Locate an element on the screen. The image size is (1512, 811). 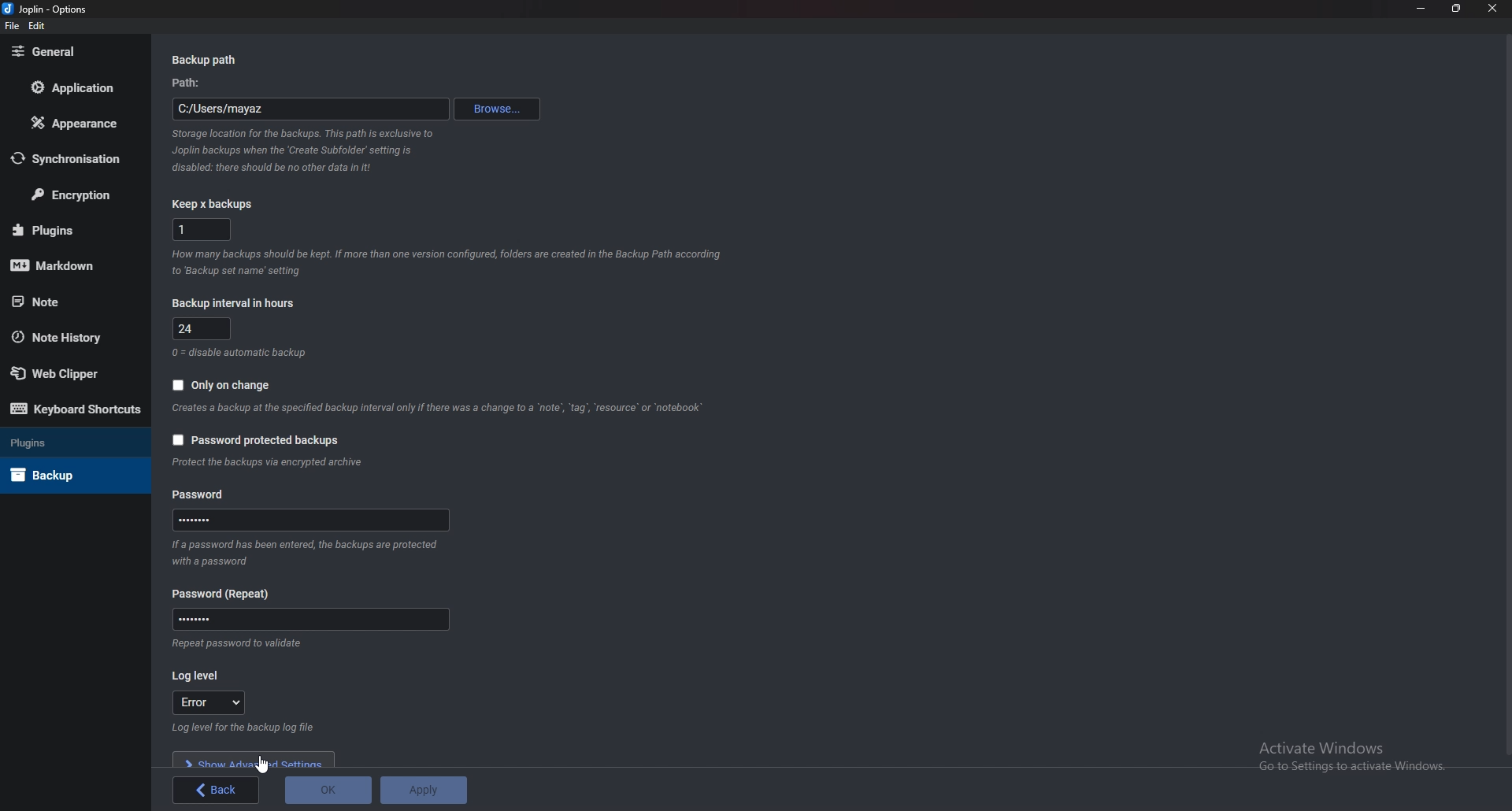
apply is located at coordinates (422, 790).